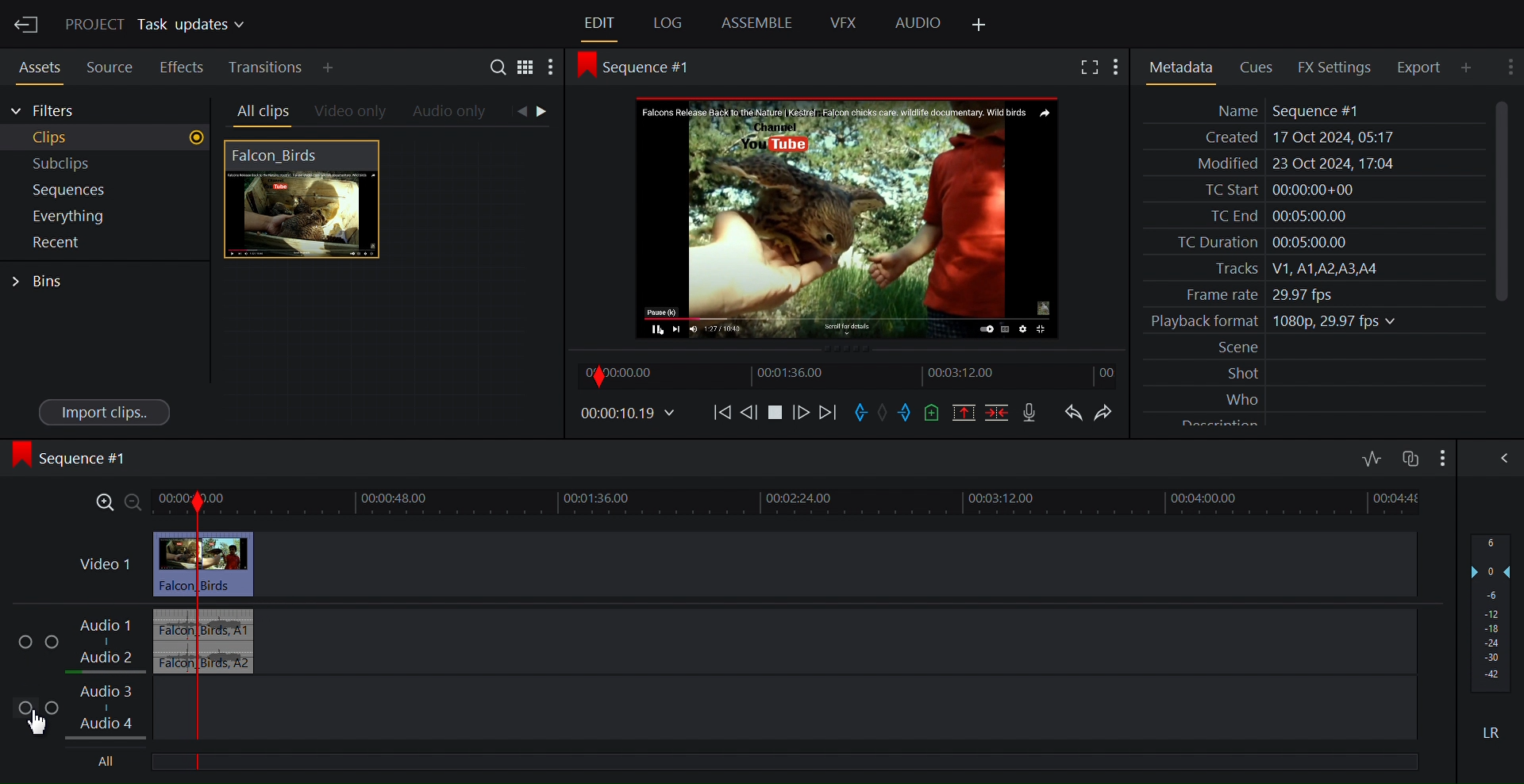 This screenshot has width=1524, height=784. I want to click on Search, so click(501, 69).